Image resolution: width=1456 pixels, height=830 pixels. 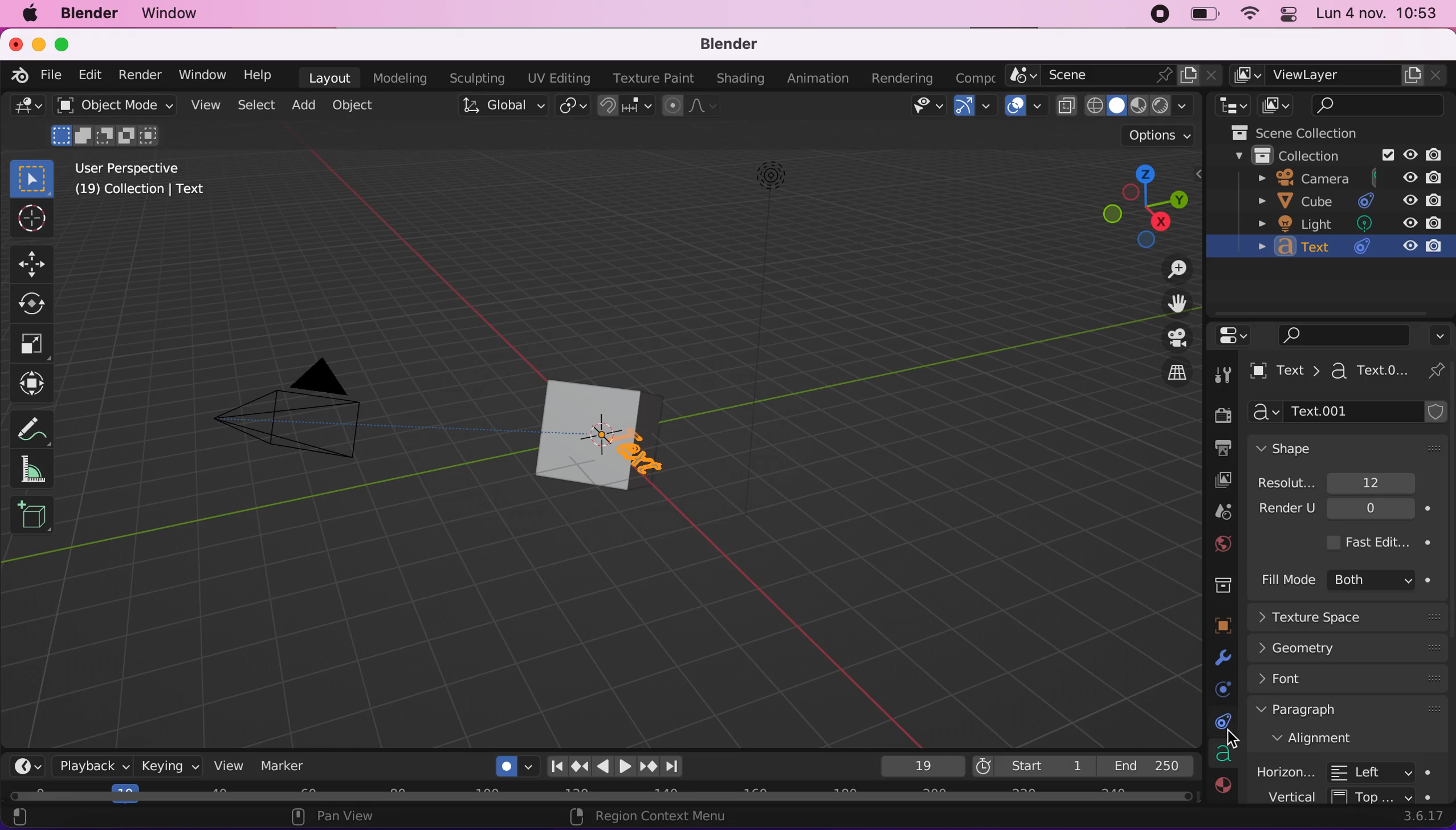 What do you see at coordinates (797, 176) in the screenshot?
I see `light` at bounding box center [797, 176].